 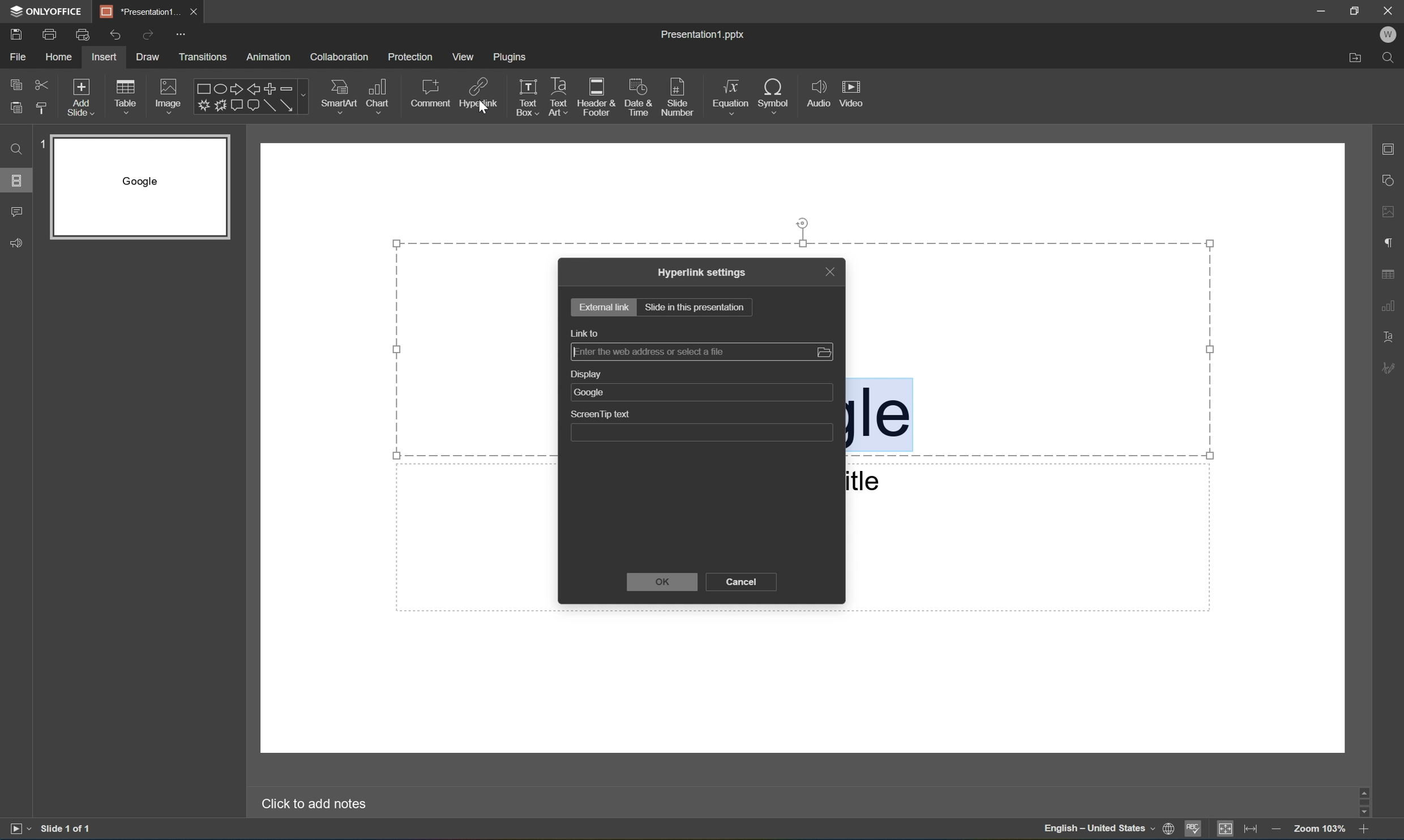 What do you see at coordinates (778, 95) in the screenshot?
I see `Symbol` at bounding box center [778, 95].